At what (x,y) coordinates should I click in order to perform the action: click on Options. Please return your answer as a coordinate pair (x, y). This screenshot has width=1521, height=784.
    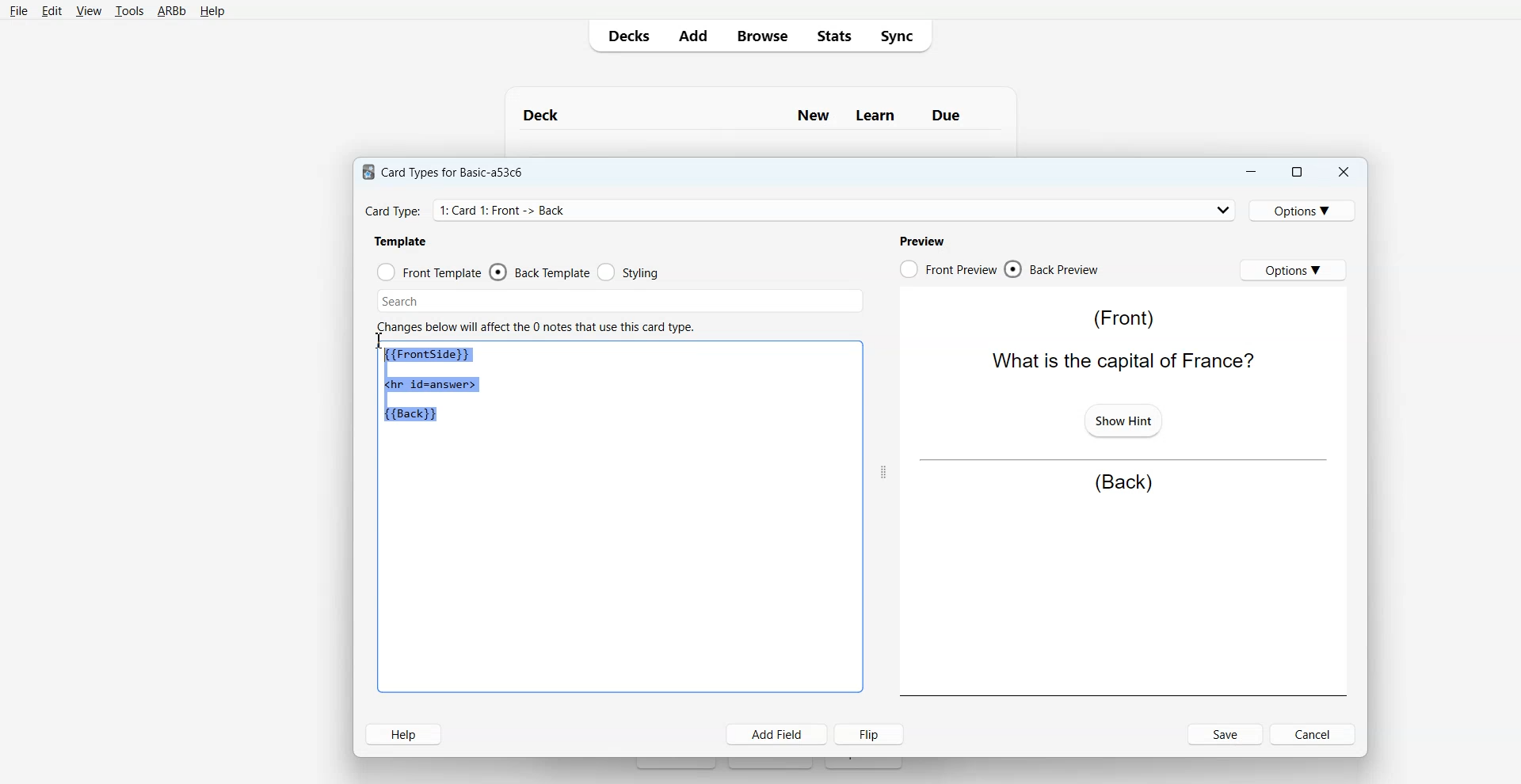
    Looking at the image, I should click on (1305, 210).